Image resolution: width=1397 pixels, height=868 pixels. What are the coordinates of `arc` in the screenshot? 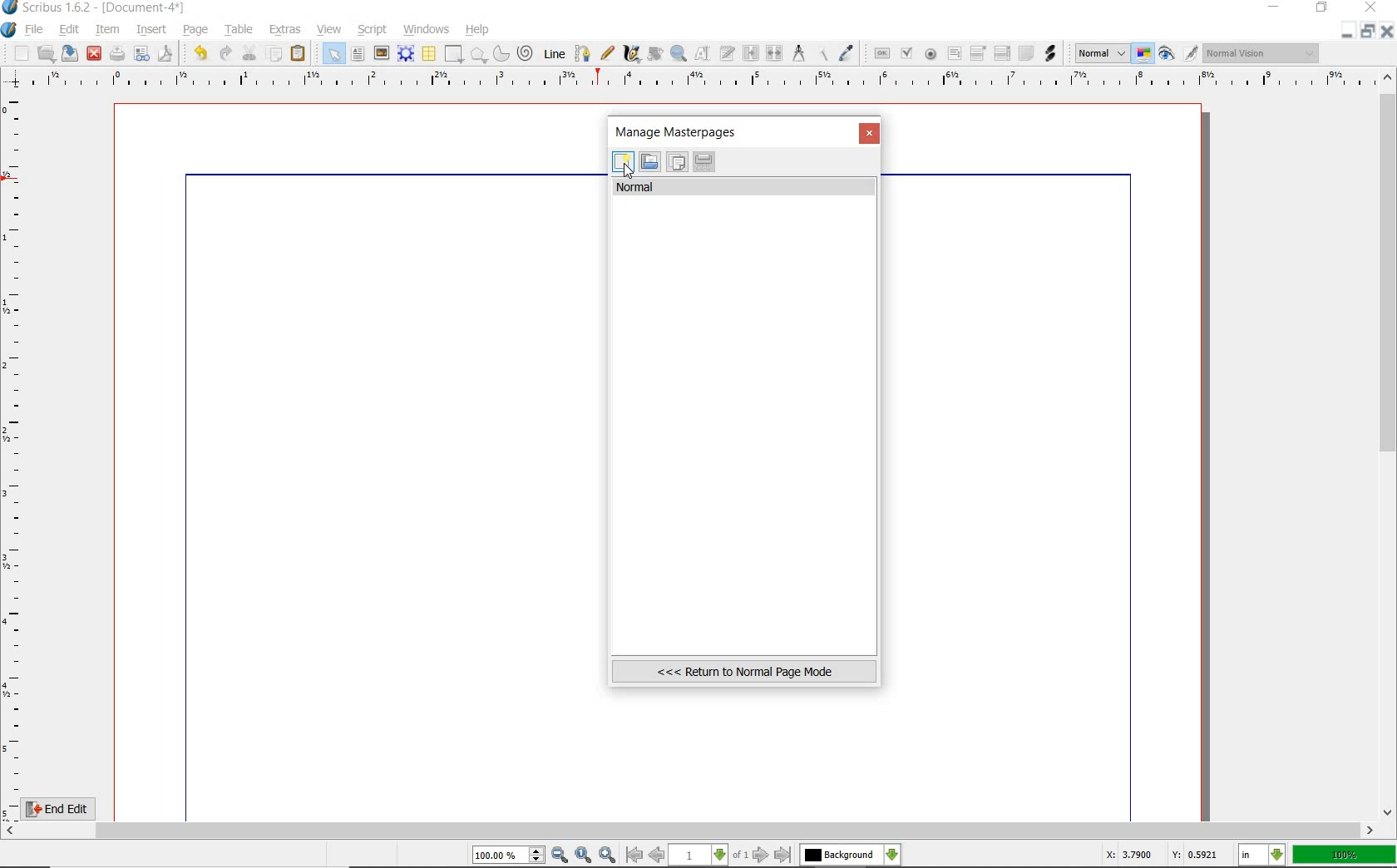 It's located at (500, 53).